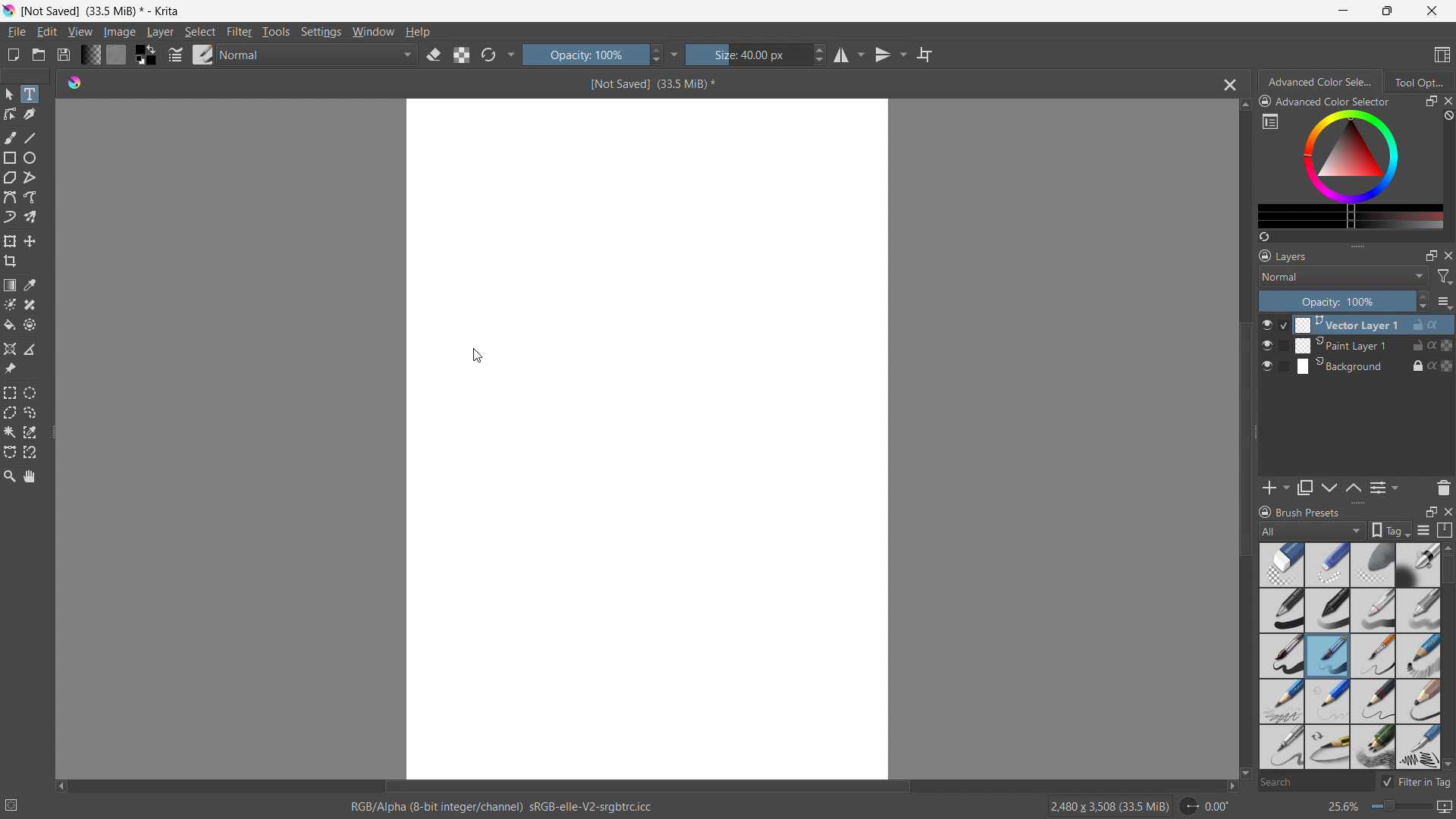  Describe the element at coordinates (1432, 11) in the screenshot. I see `close` at that location.